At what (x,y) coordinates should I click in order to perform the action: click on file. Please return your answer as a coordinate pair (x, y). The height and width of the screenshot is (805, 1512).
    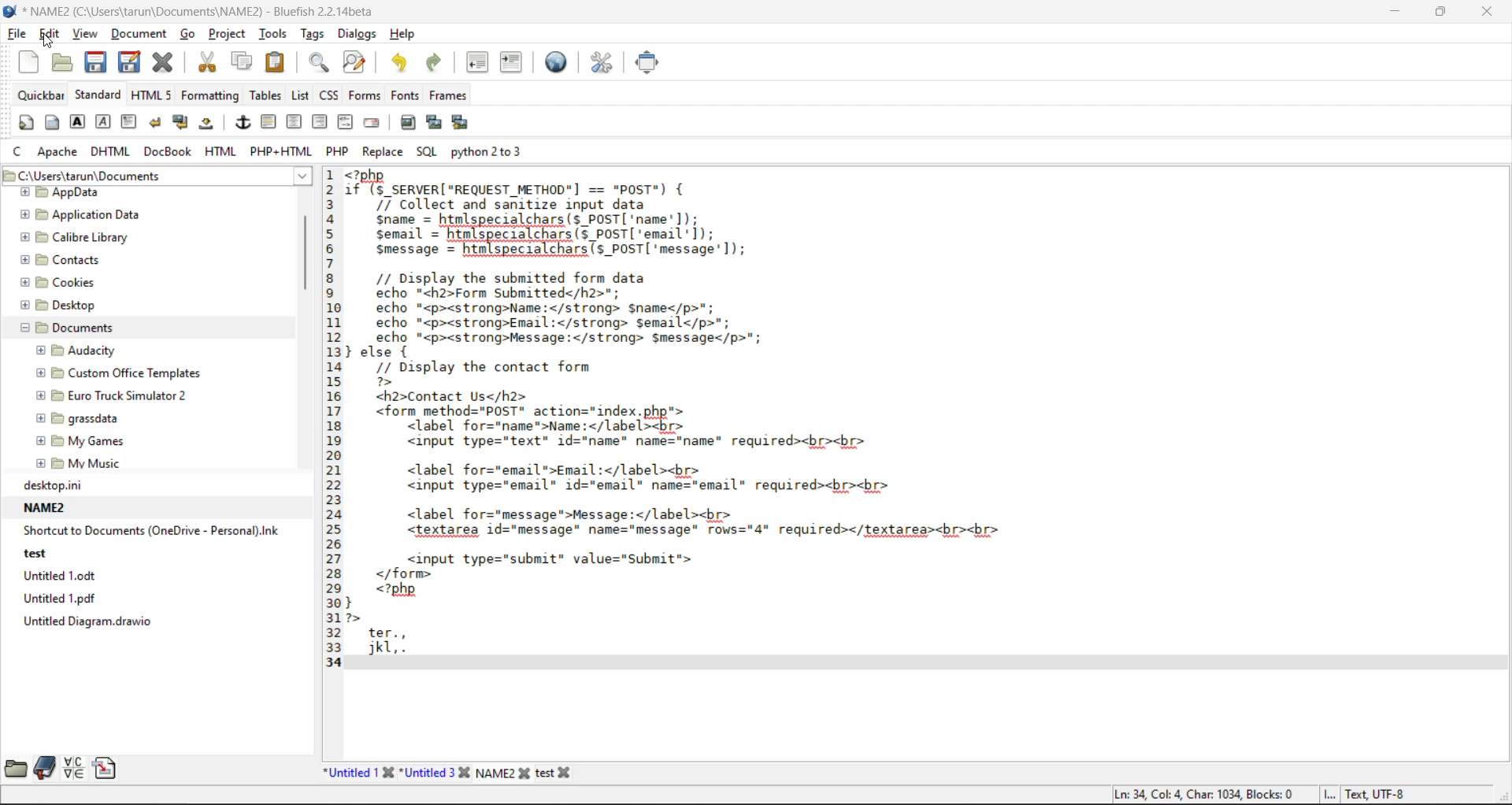
    Looking at the image, I should click on (15, 34).